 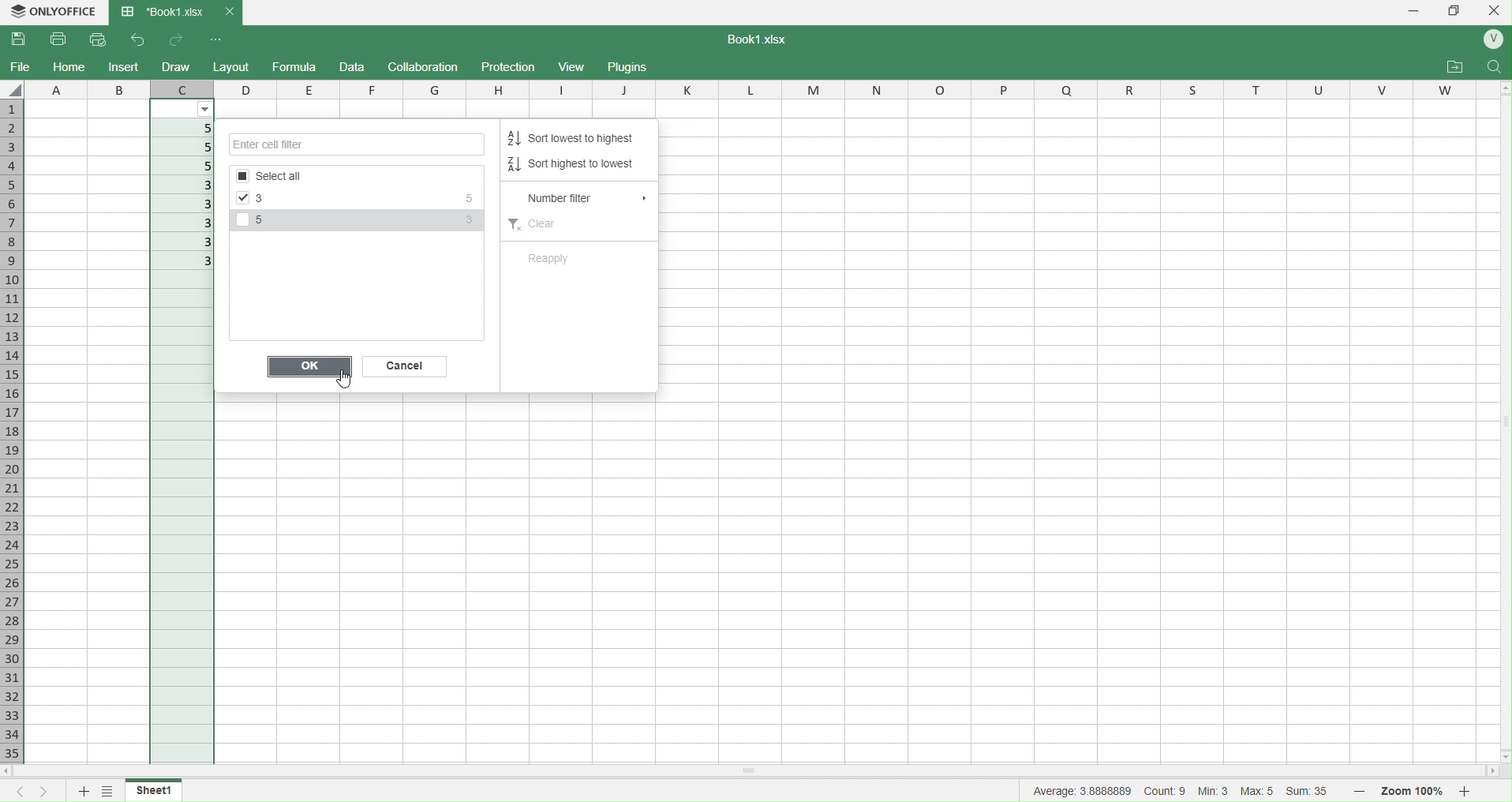 What do you see at coordinates (1357, 789) in the screenshot?
I see `zoom out` at bounding box center [1357, 789].